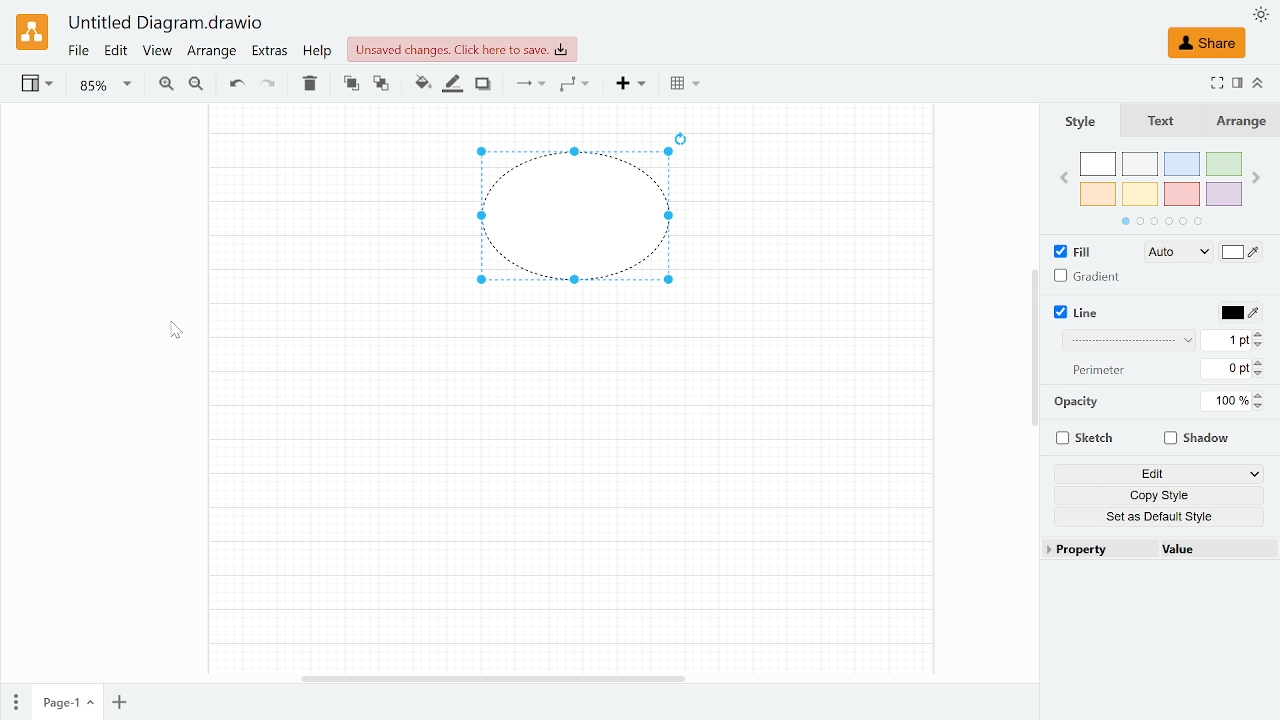  I want to click on Color pallet, so click(1162, 188).